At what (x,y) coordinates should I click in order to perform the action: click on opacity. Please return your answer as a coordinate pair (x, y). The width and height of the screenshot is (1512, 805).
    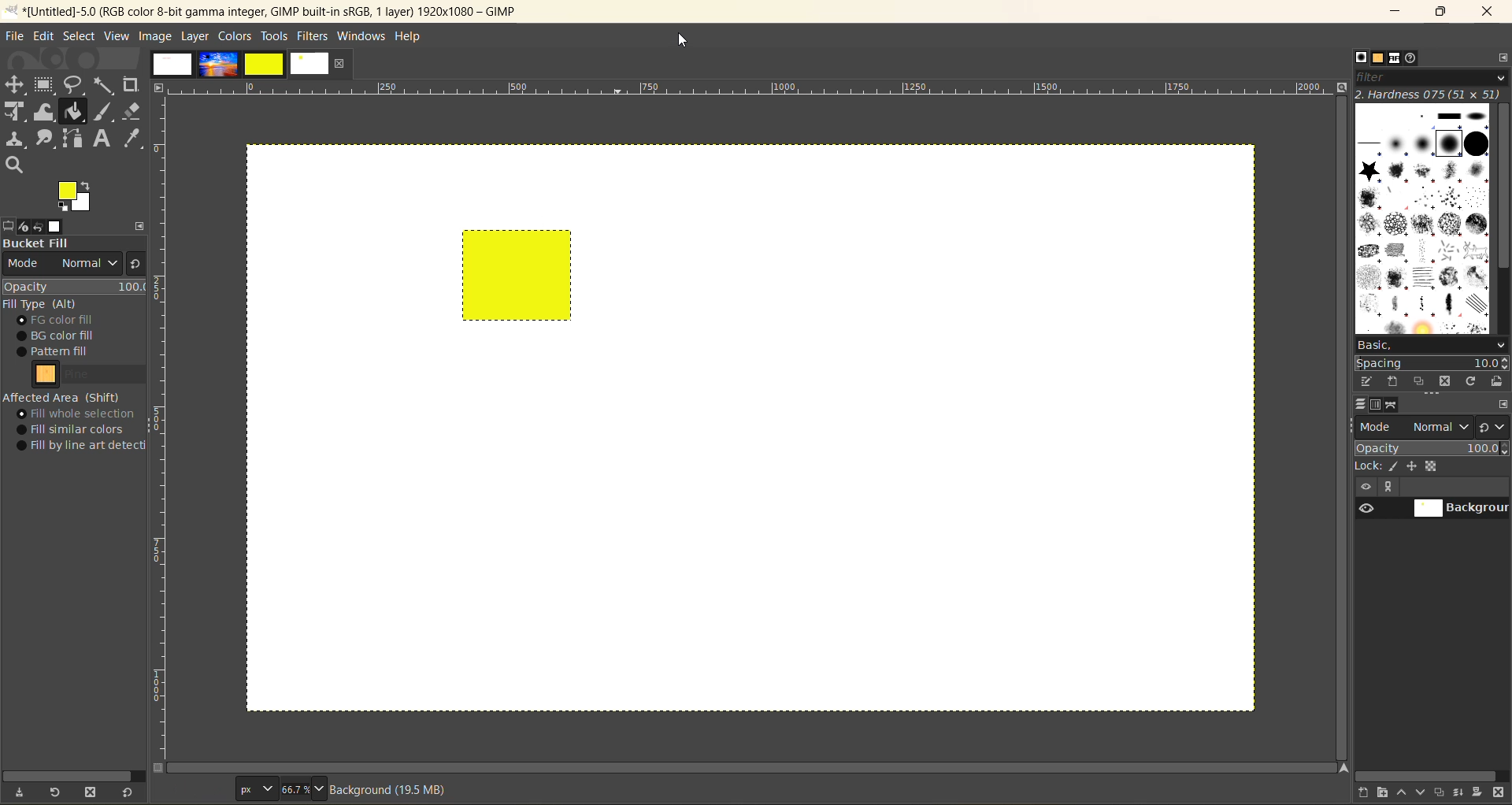
    Looking at the image, I should click on (1432, 448).